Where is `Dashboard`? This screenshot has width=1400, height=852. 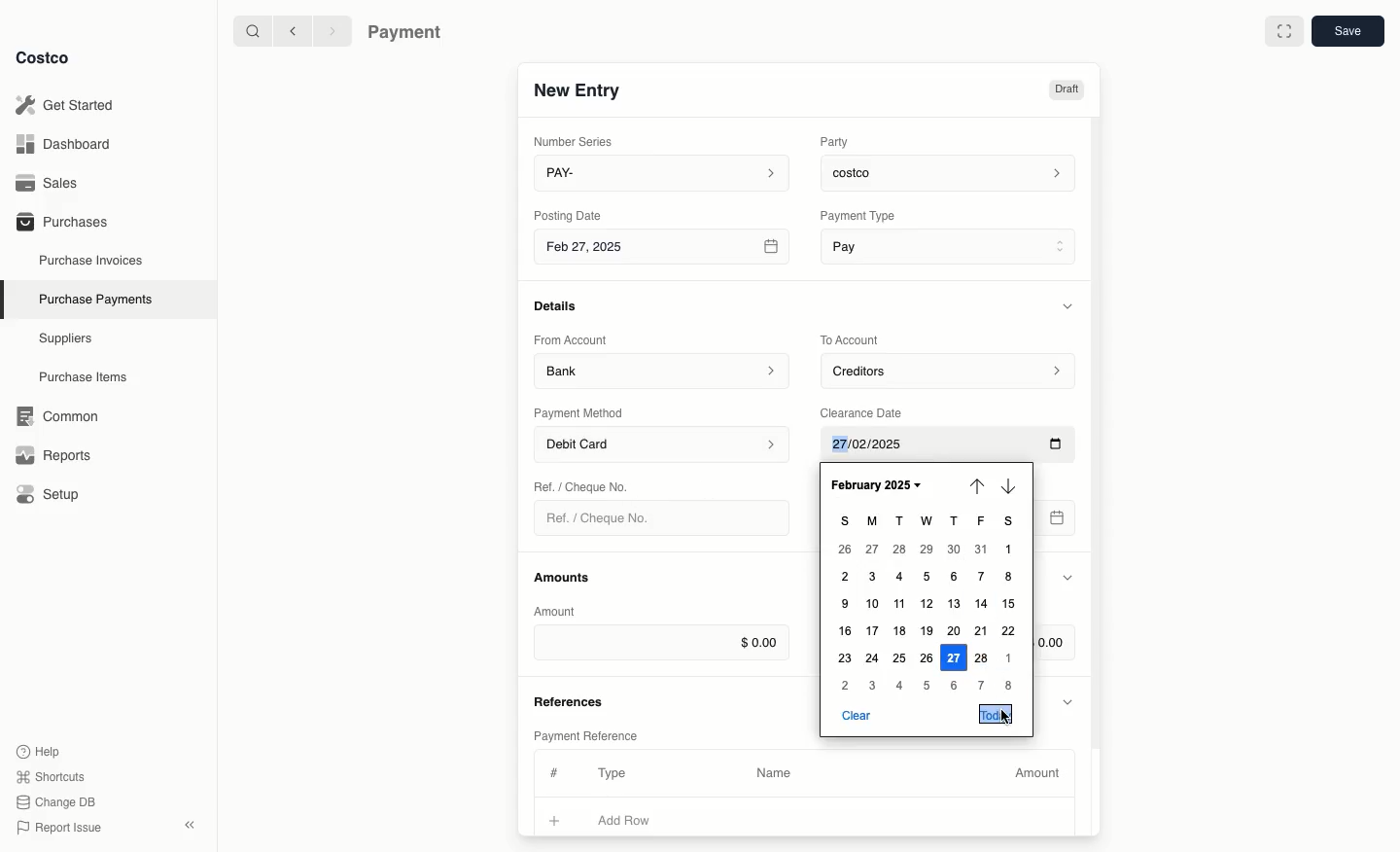 Dashboard is located at coordinates (69, 143).